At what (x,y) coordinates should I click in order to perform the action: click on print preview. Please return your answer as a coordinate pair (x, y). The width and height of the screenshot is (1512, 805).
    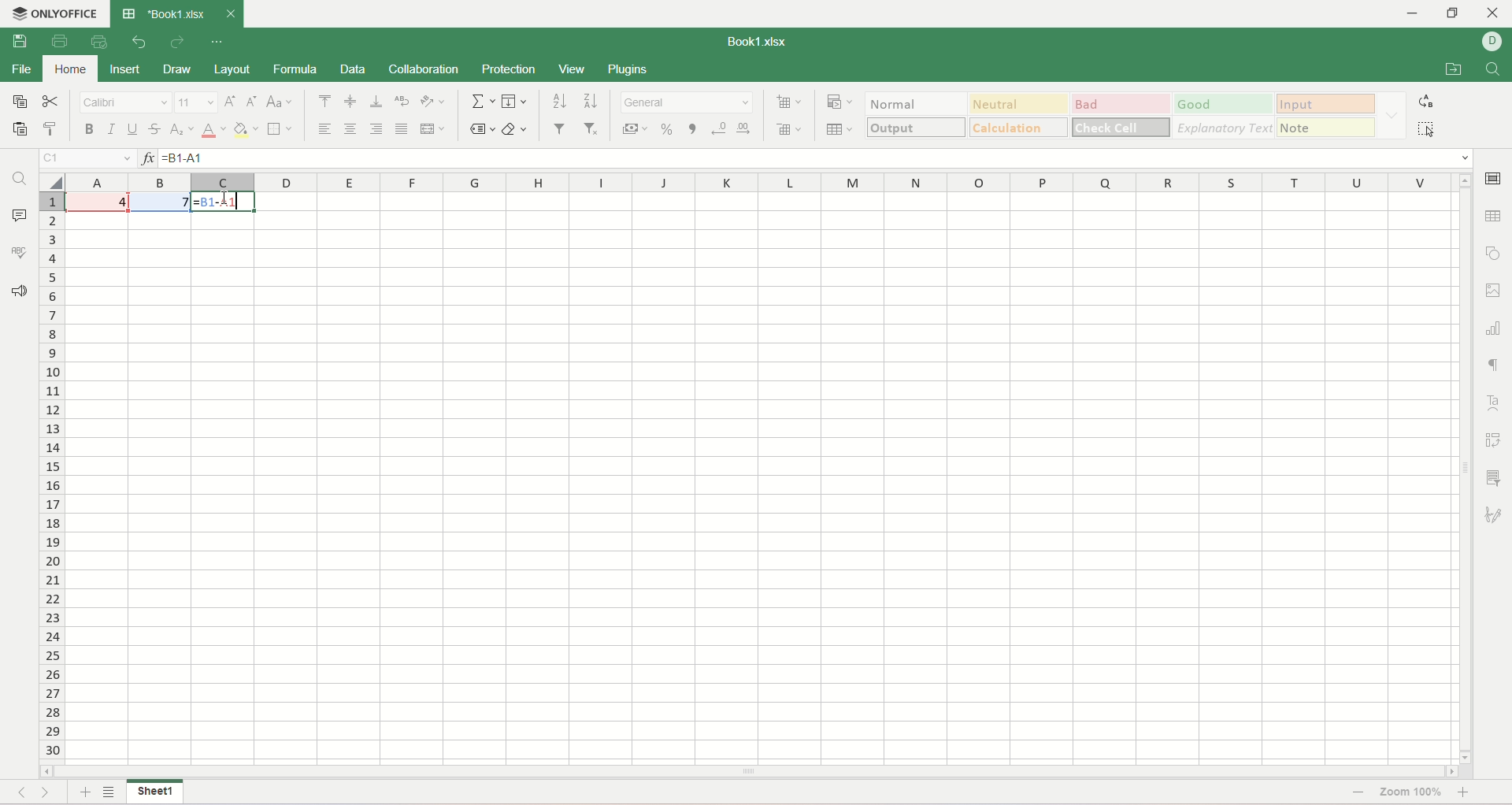
    Looking at the image, I should click on (103, 42).